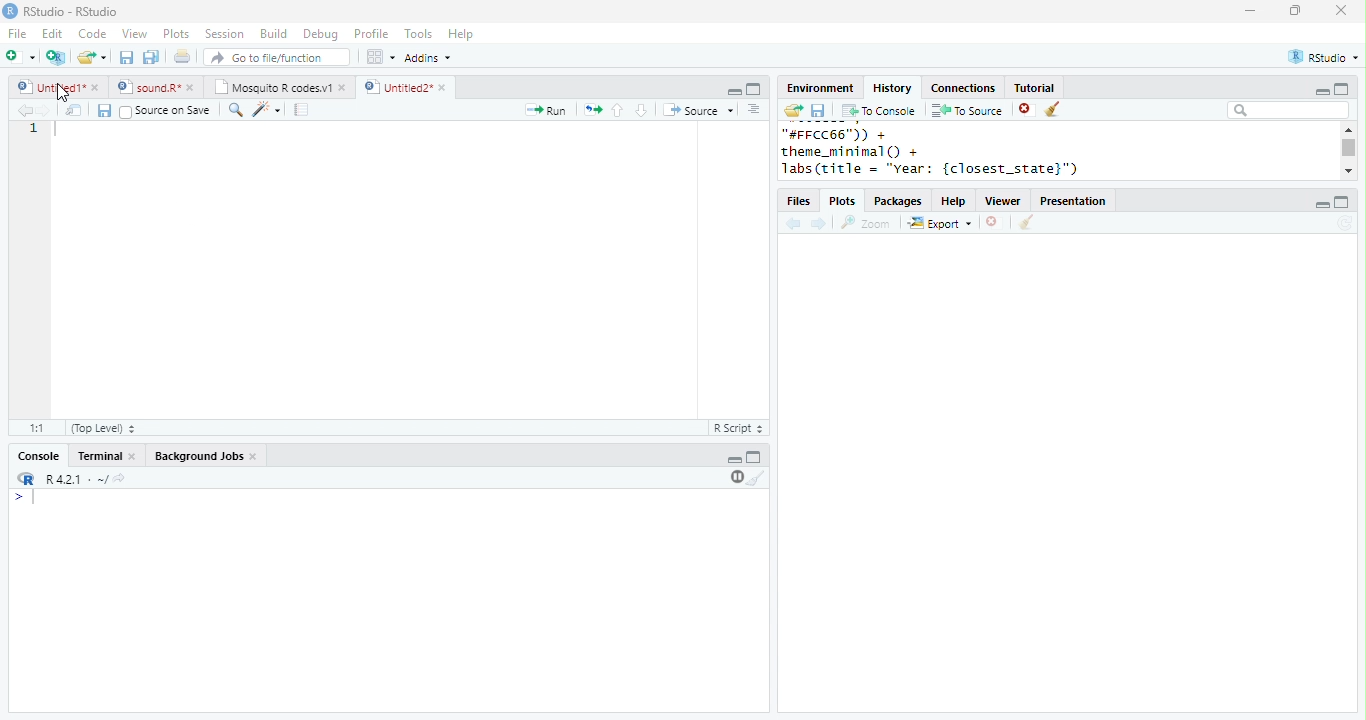 The width and height of the screenshot is (1366, 720). I want to click on minimize, so click(1322, 205).